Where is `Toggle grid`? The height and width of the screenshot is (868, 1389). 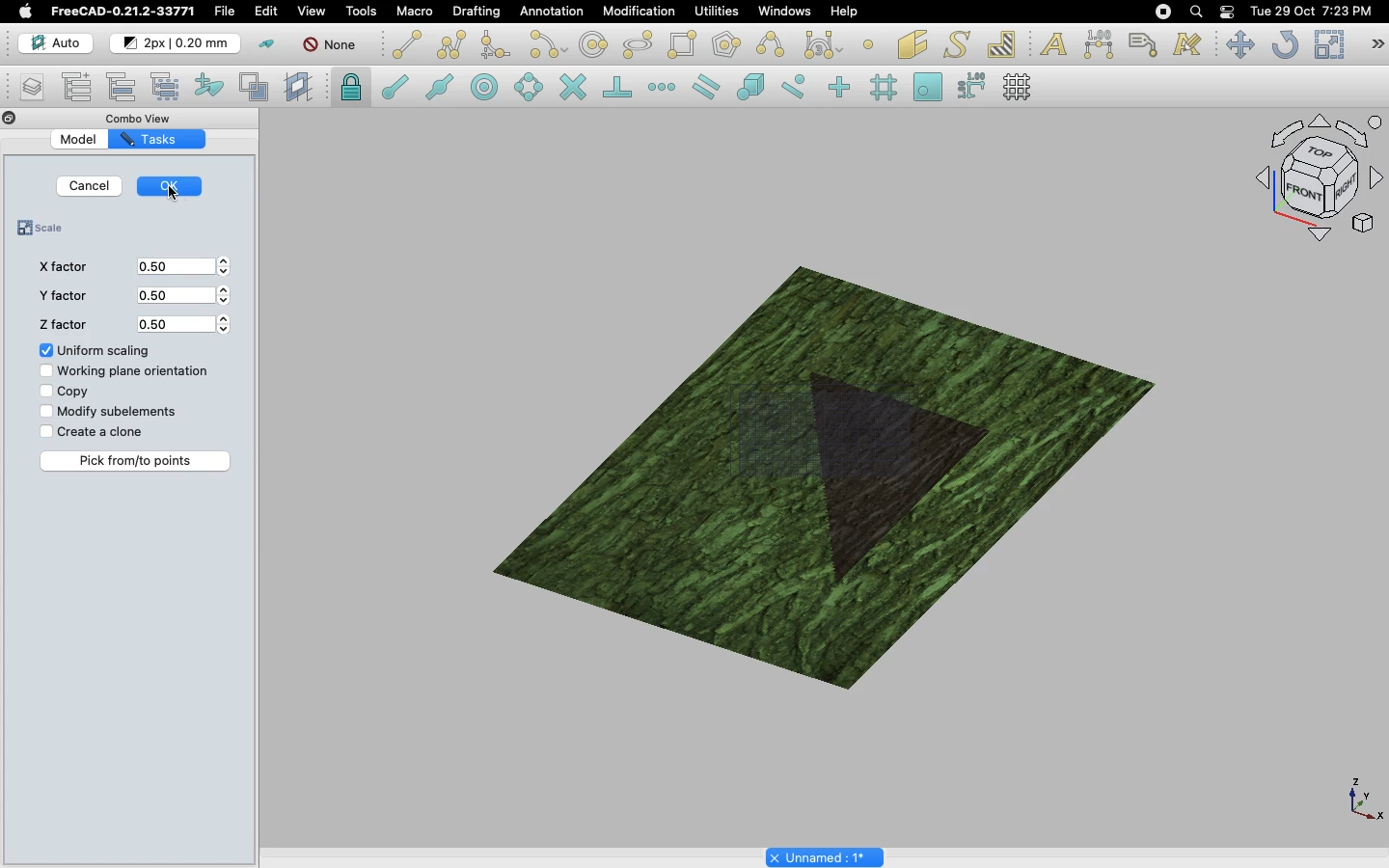 Toggle grid is located at coordinates (1023, 87).